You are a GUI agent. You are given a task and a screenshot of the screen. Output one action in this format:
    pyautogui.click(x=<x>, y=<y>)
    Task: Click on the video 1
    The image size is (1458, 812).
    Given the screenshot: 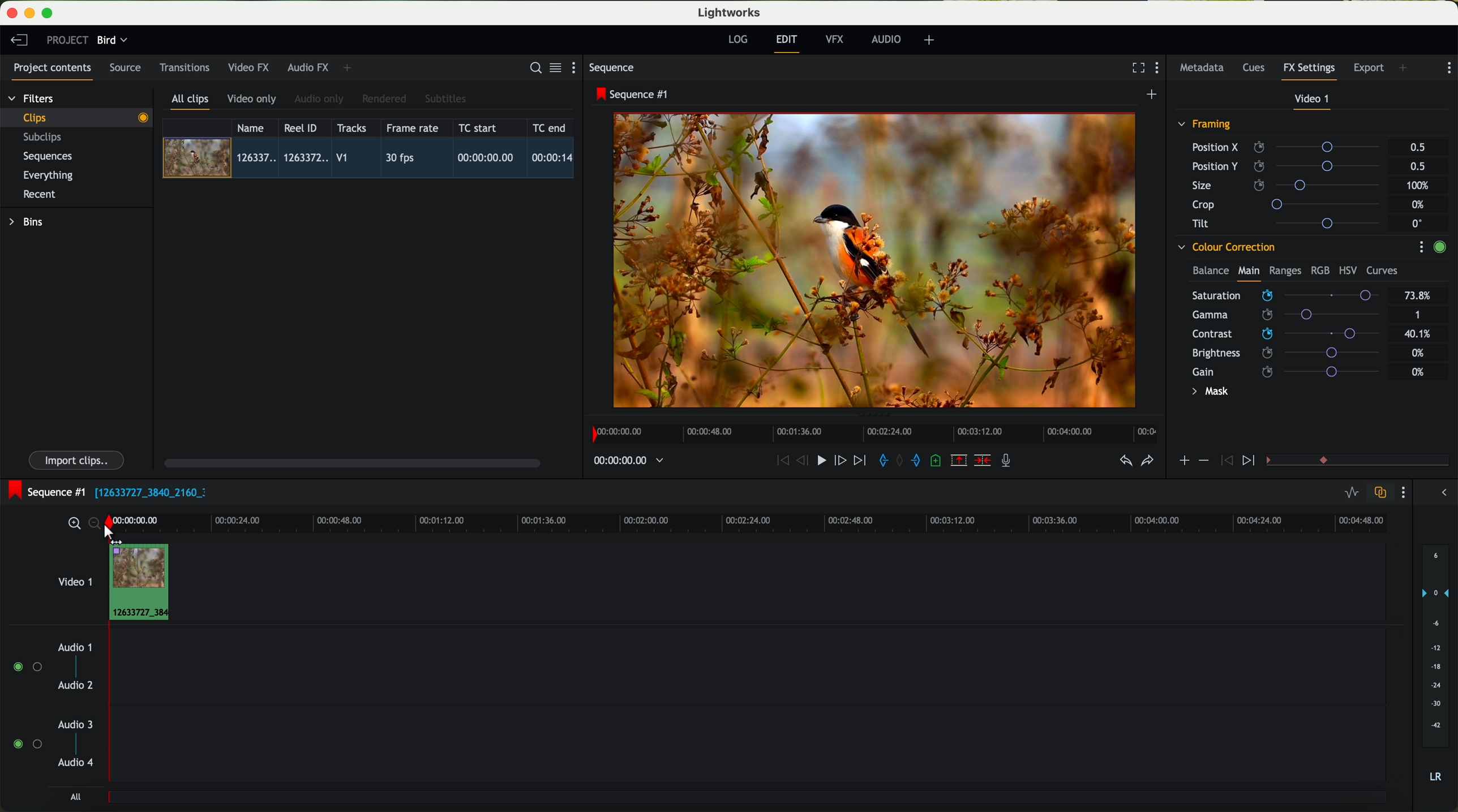 What is the action you would take?
    pyautogui.click(x=74, y=579)
    